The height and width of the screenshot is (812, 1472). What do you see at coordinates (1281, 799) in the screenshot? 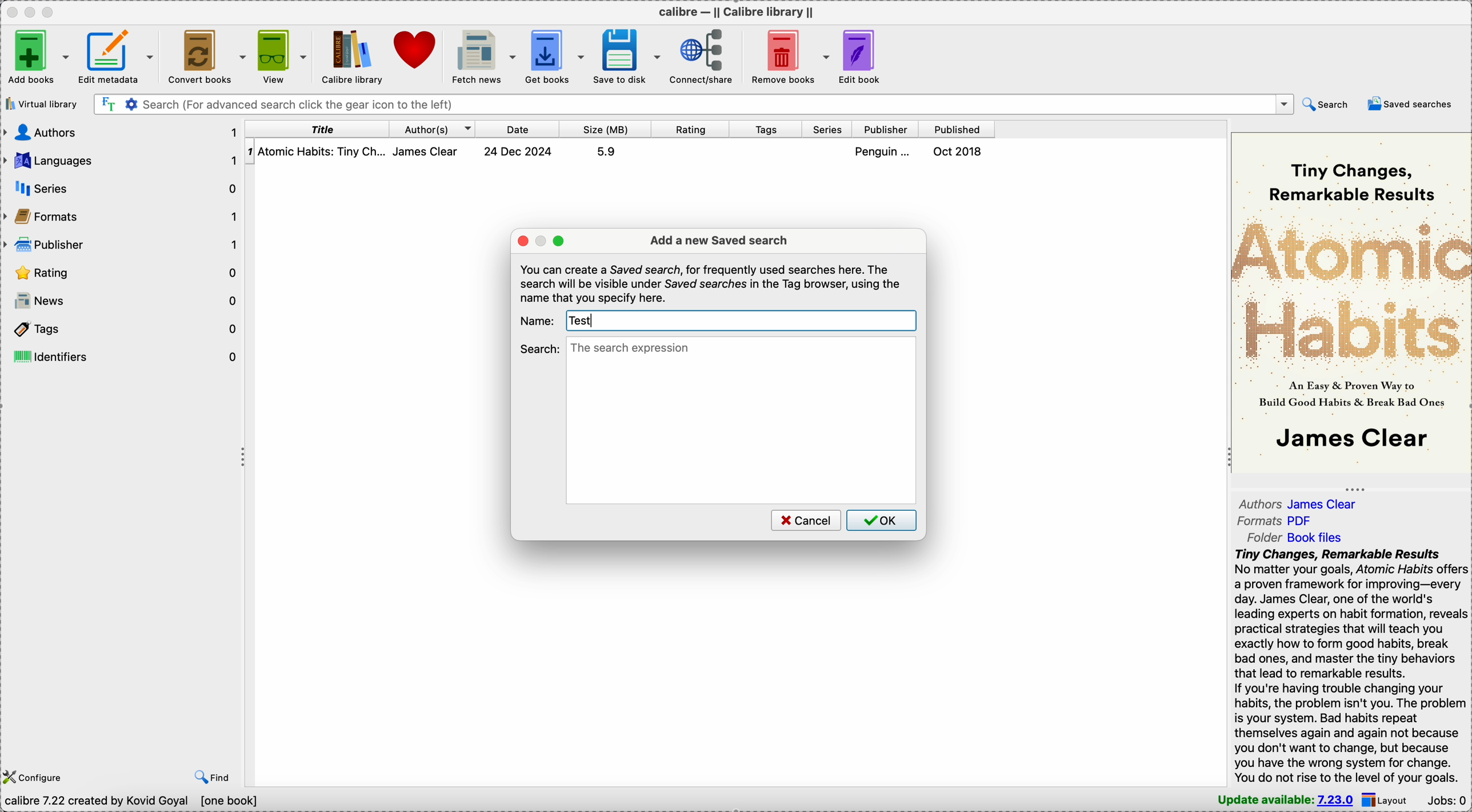
I see `update available: 7.23.0` at bounding box center [1281, 799].